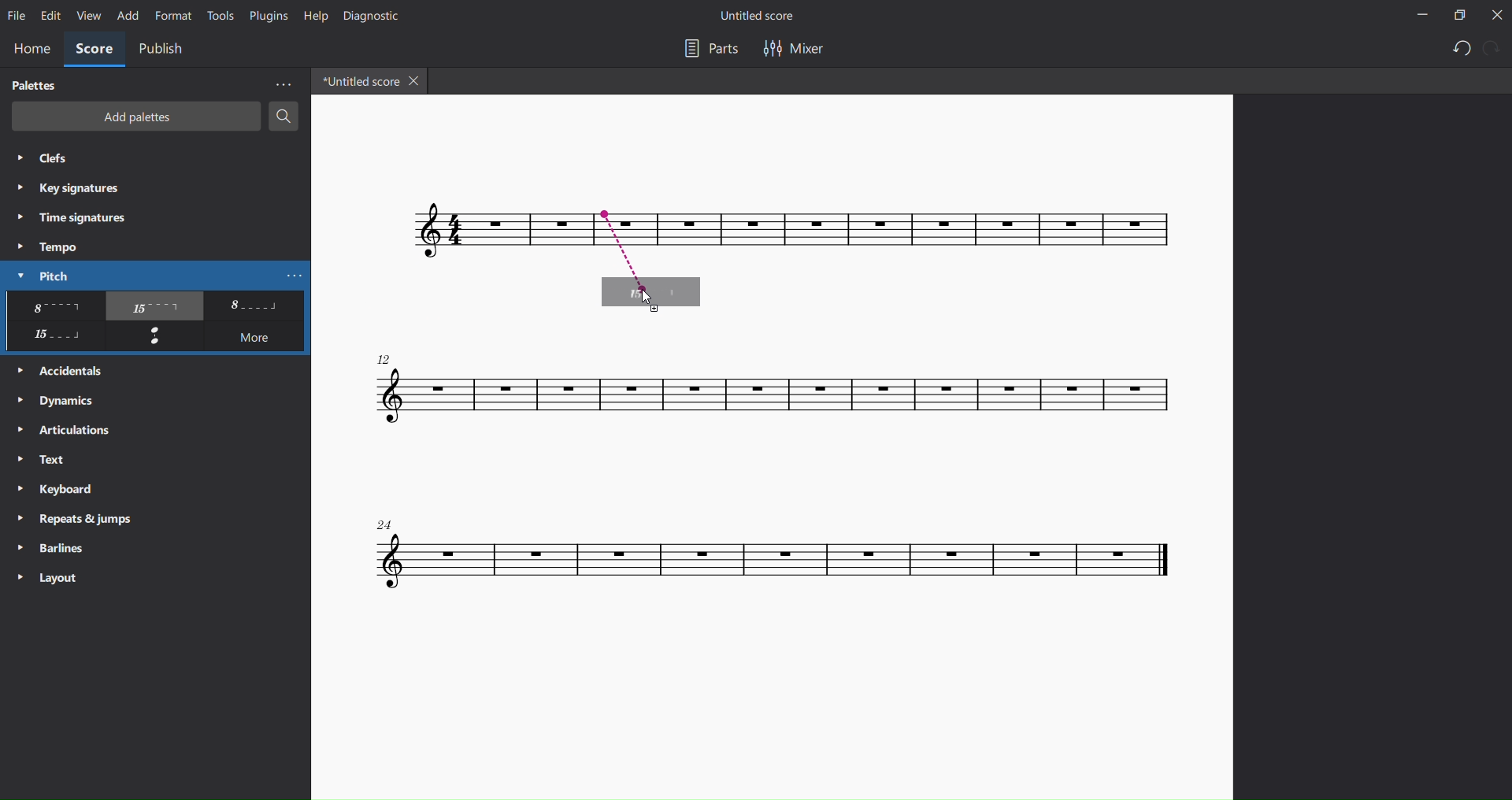  What do you see at coordinates (154, 306) in the screenshot?
I see `other pichtes` at bounding box center [154, 306].